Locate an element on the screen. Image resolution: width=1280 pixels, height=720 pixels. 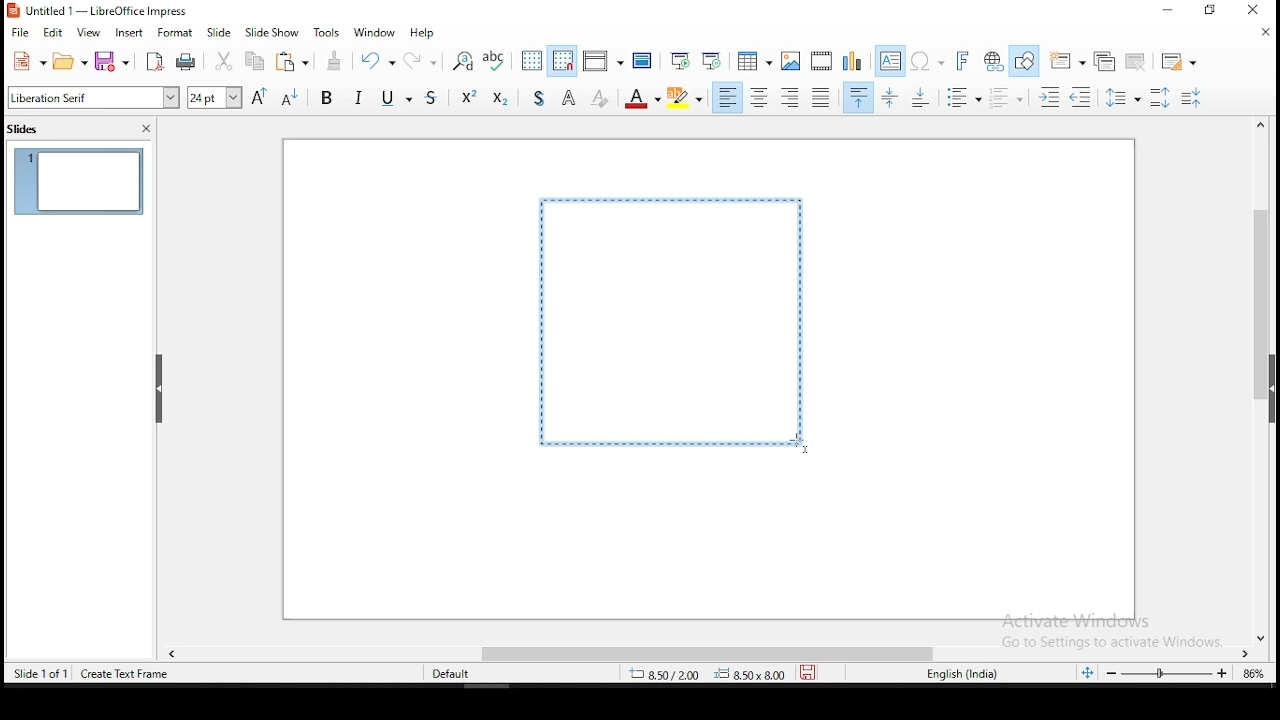
display views is located at coordinates (604, 58).